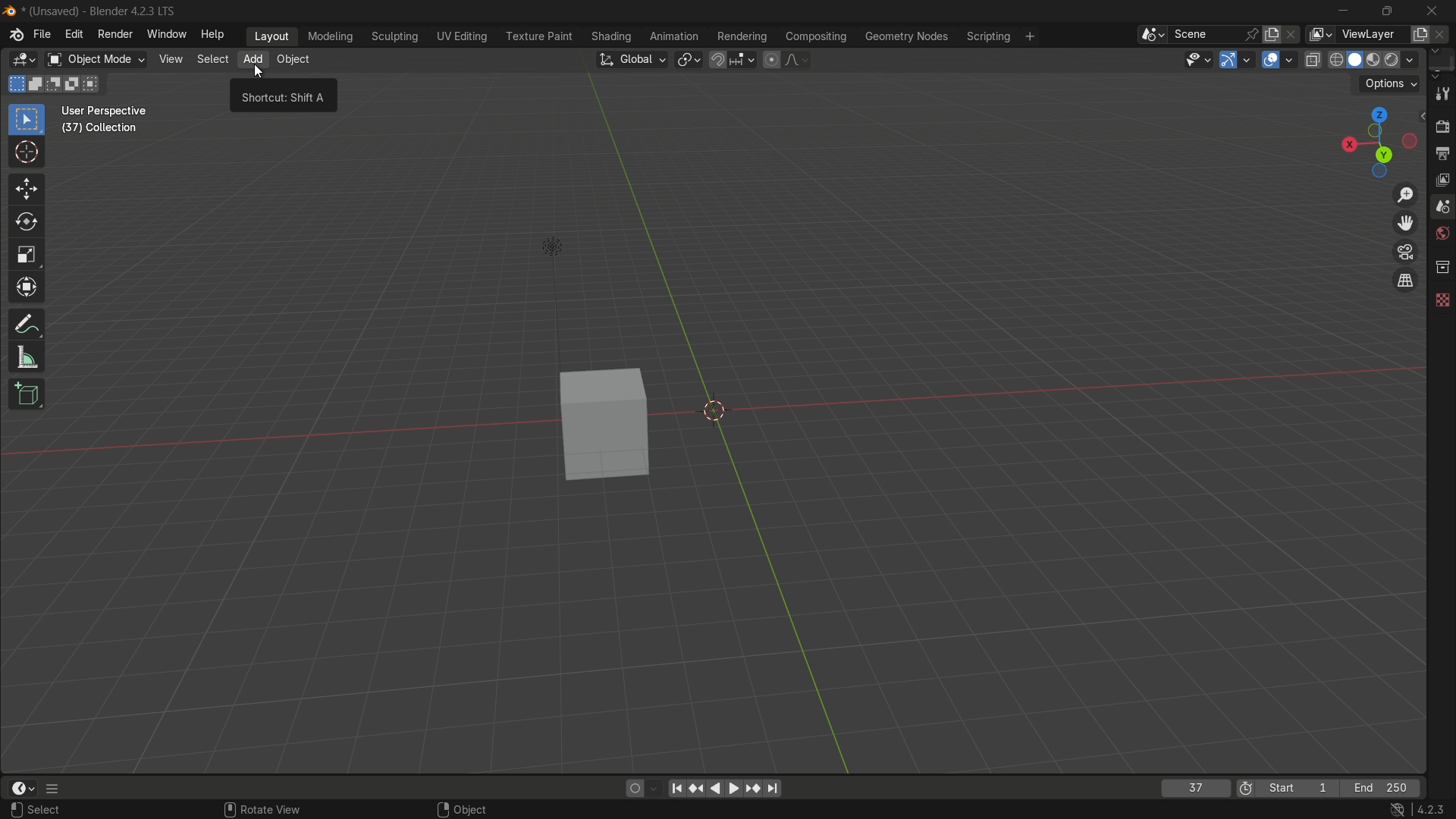 The width and height of the screenshot is (1456, 819). I want to click on view layer name, so click(1374, 35).